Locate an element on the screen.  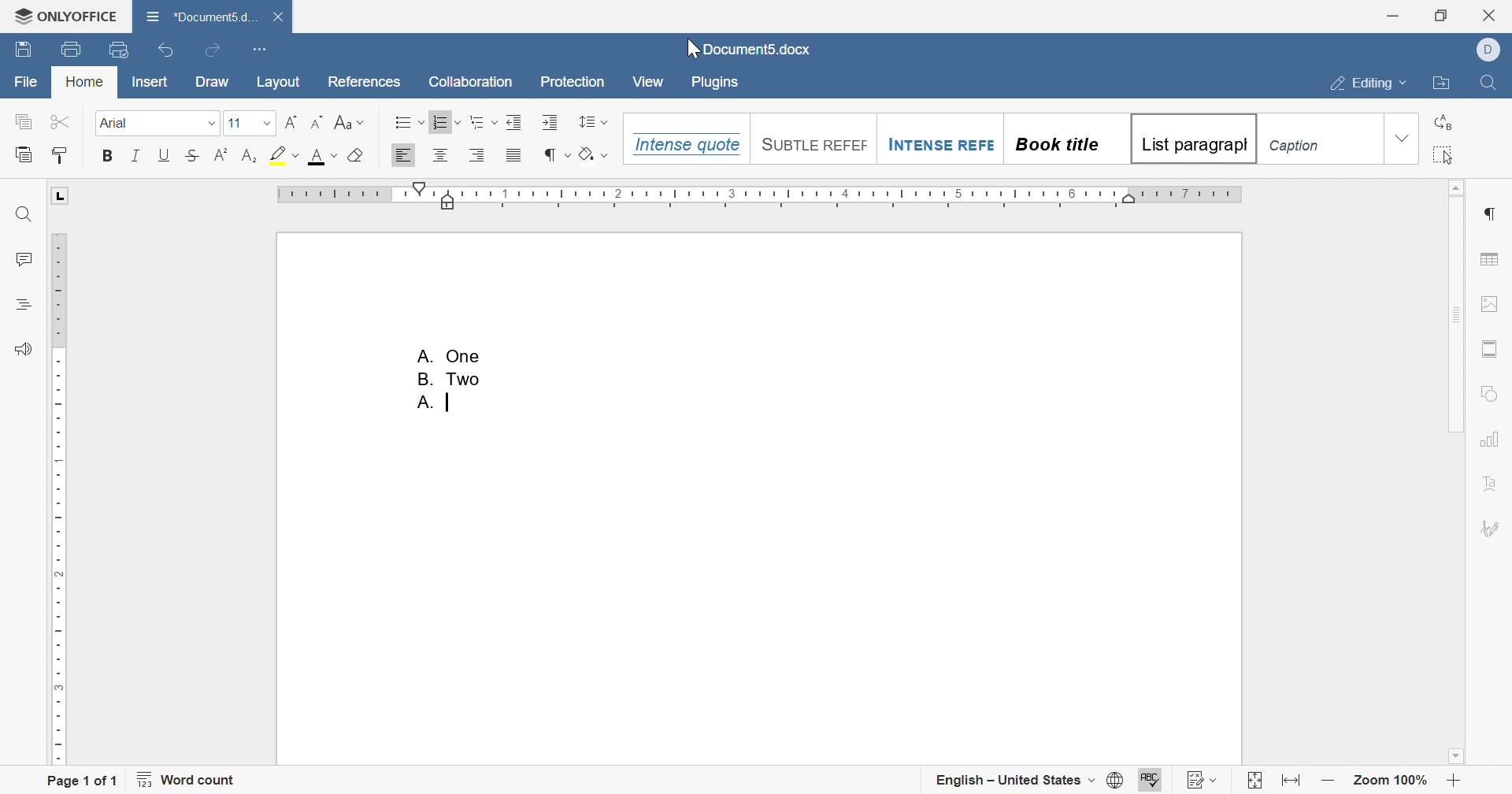
Suntile reefef is located at coordinates (811, 143).